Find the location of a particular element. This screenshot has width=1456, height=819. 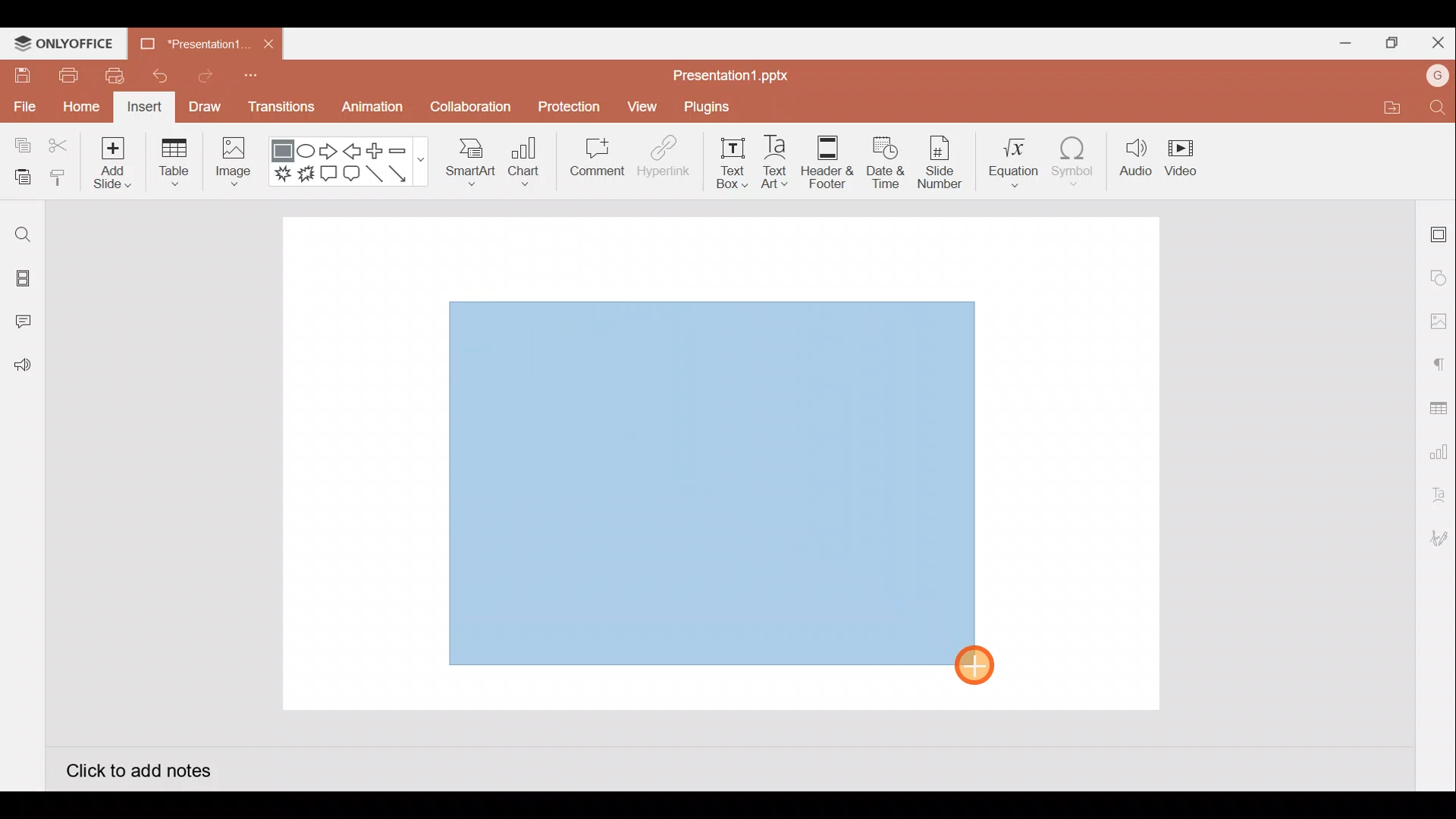

Equation is located at coordinates (1015, 157).